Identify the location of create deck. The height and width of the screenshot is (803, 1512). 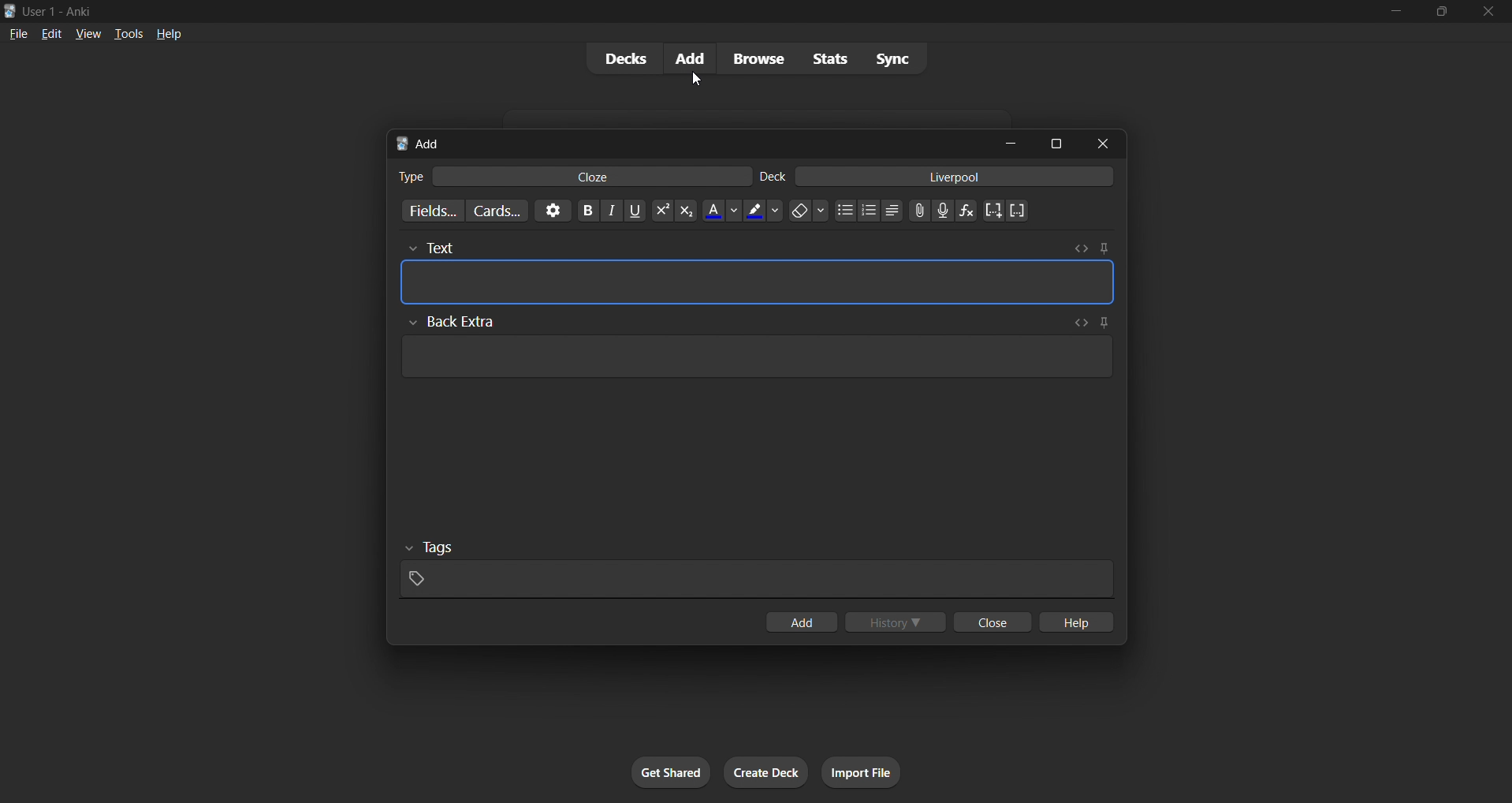
(764, 772).